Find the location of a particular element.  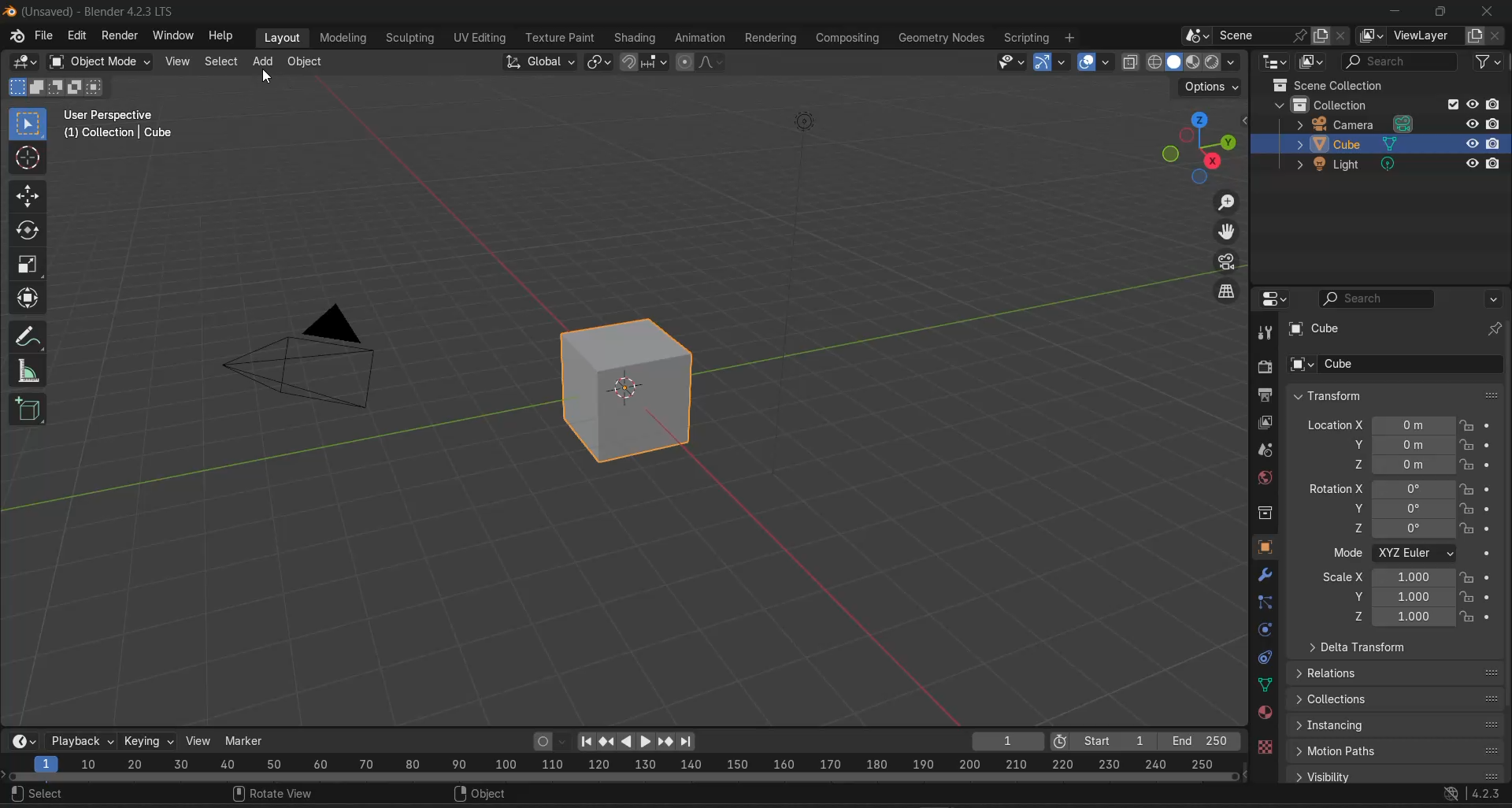

scene collection is located at coordinates (1329, 84).